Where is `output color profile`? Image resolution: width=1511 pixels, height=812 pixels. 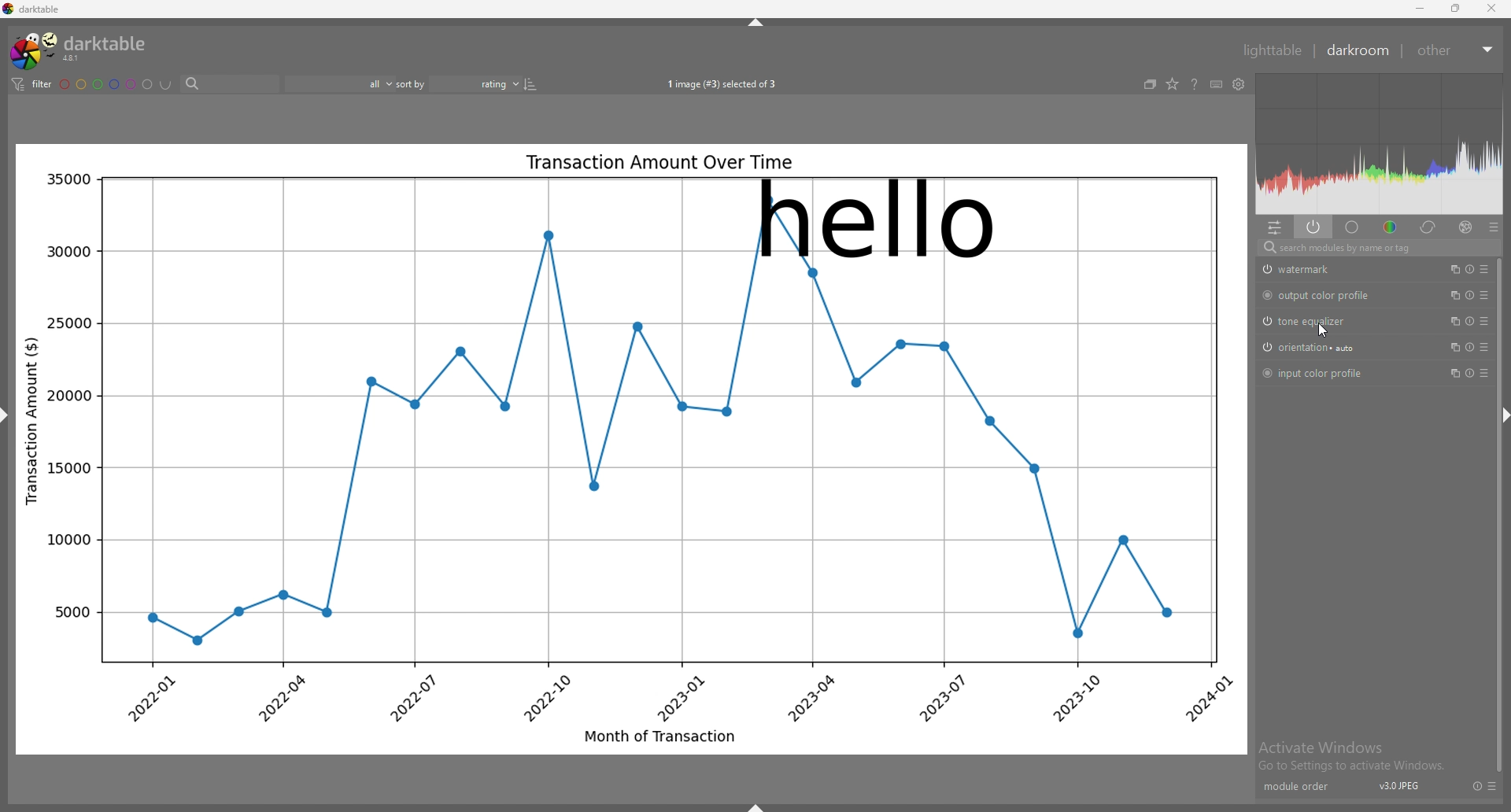 output color profile is located at coordinates (1329, 297).